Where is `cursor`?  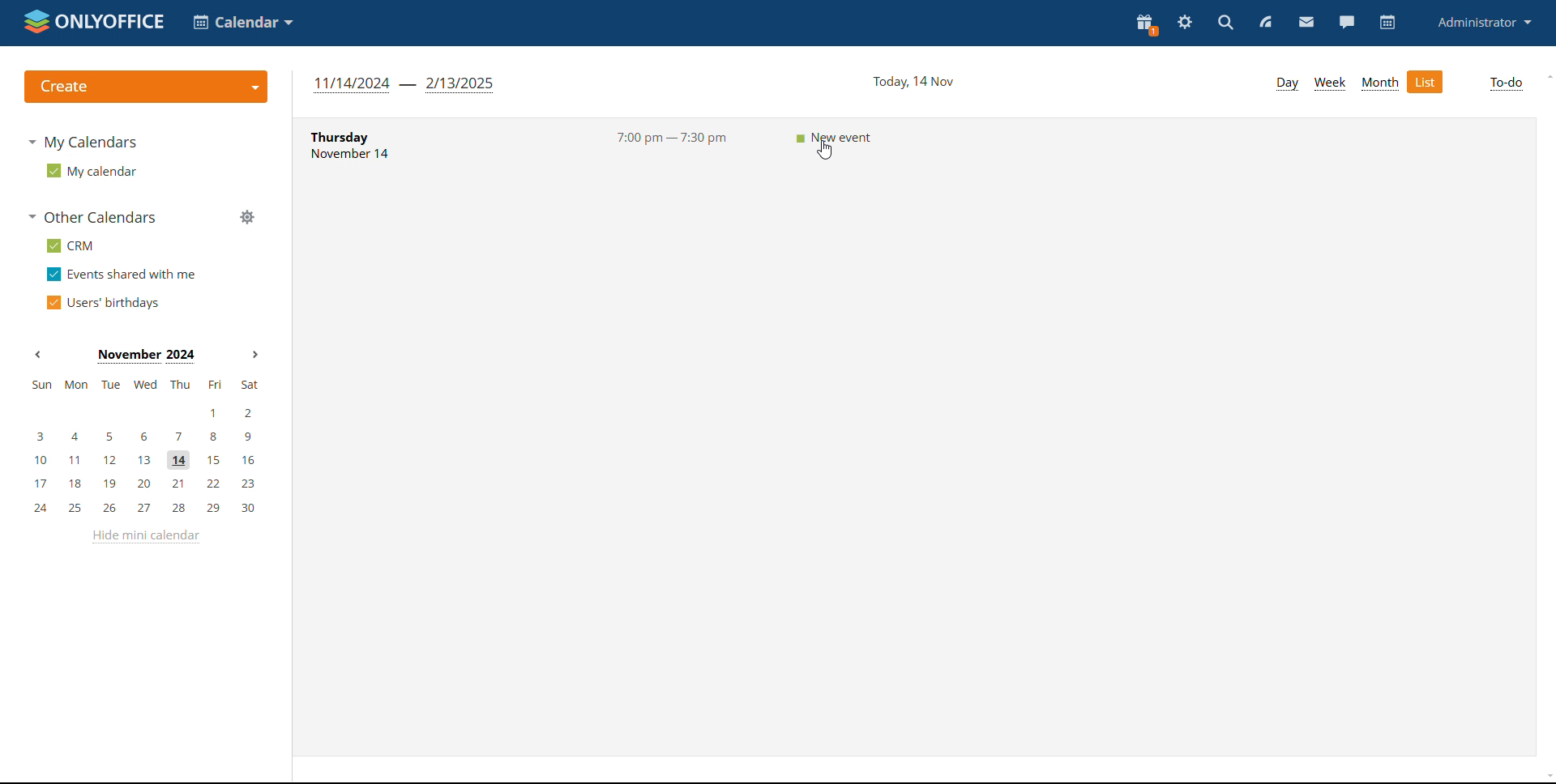
cursor is located at coordinates (823, 148).